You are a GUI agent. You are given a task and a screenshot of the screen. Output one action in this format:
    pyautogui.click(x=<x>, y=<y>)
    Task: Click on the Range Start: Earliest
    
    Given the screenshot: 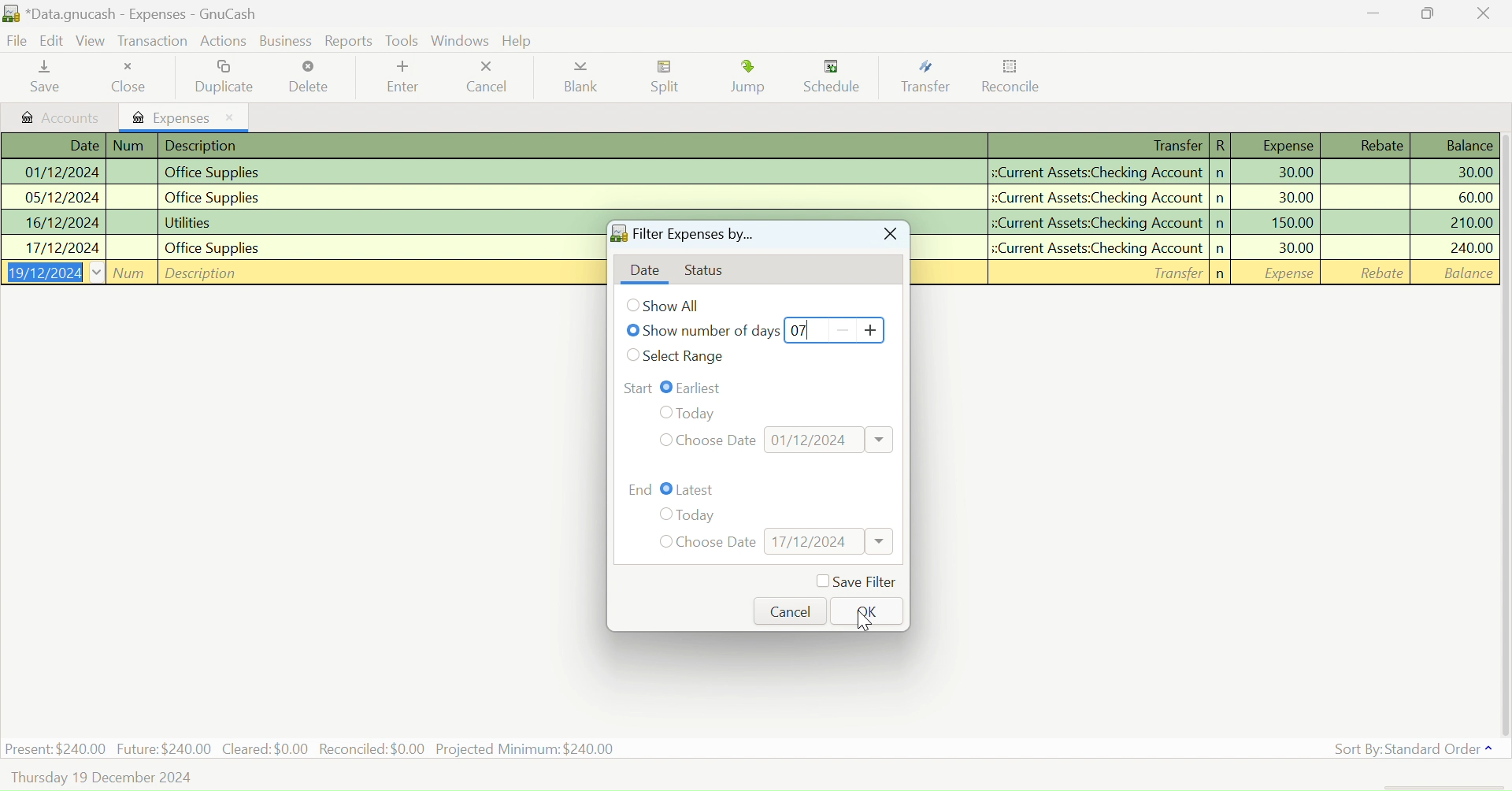 What is the action you would take?
    pyautogui.click(x=637, y=387)
    